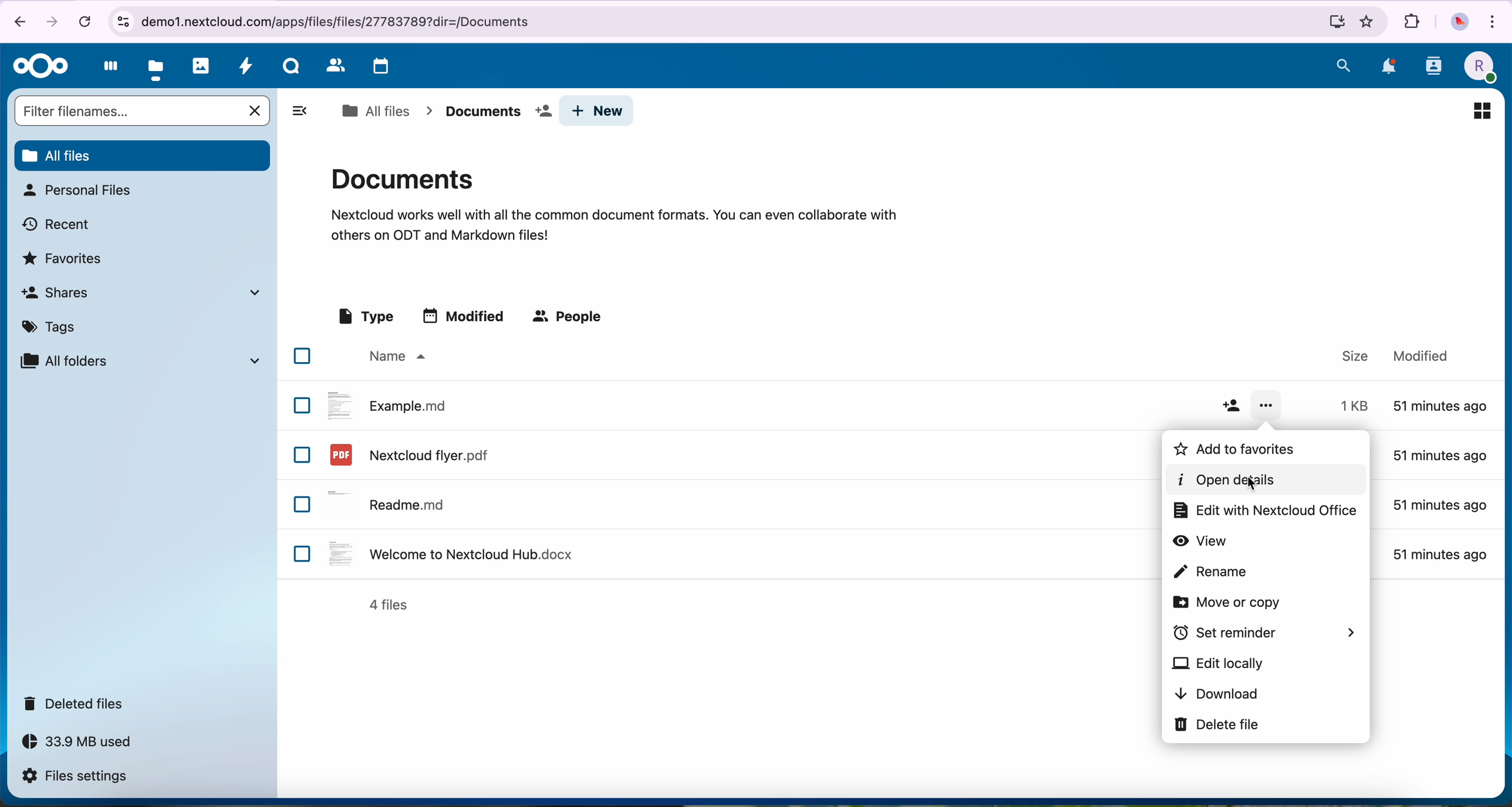  What do you see at coordinates (1214, 725) in the screenshot?
I see `delete file` at bounding box center [1214, 725].